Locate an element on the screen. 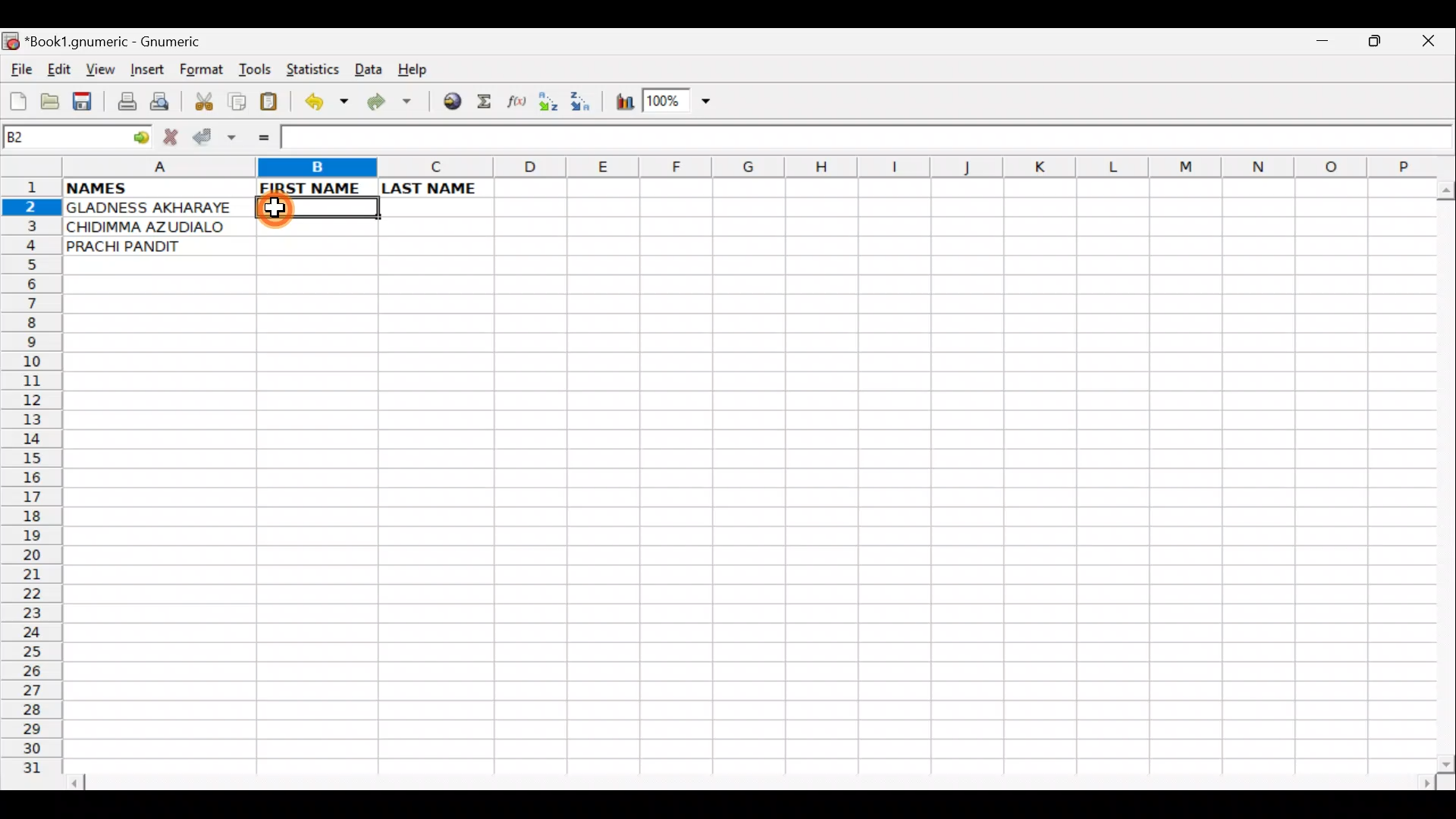 The height and width of the screenshot is (819, 1456). Minimize is located at coordinates (1319, 45).